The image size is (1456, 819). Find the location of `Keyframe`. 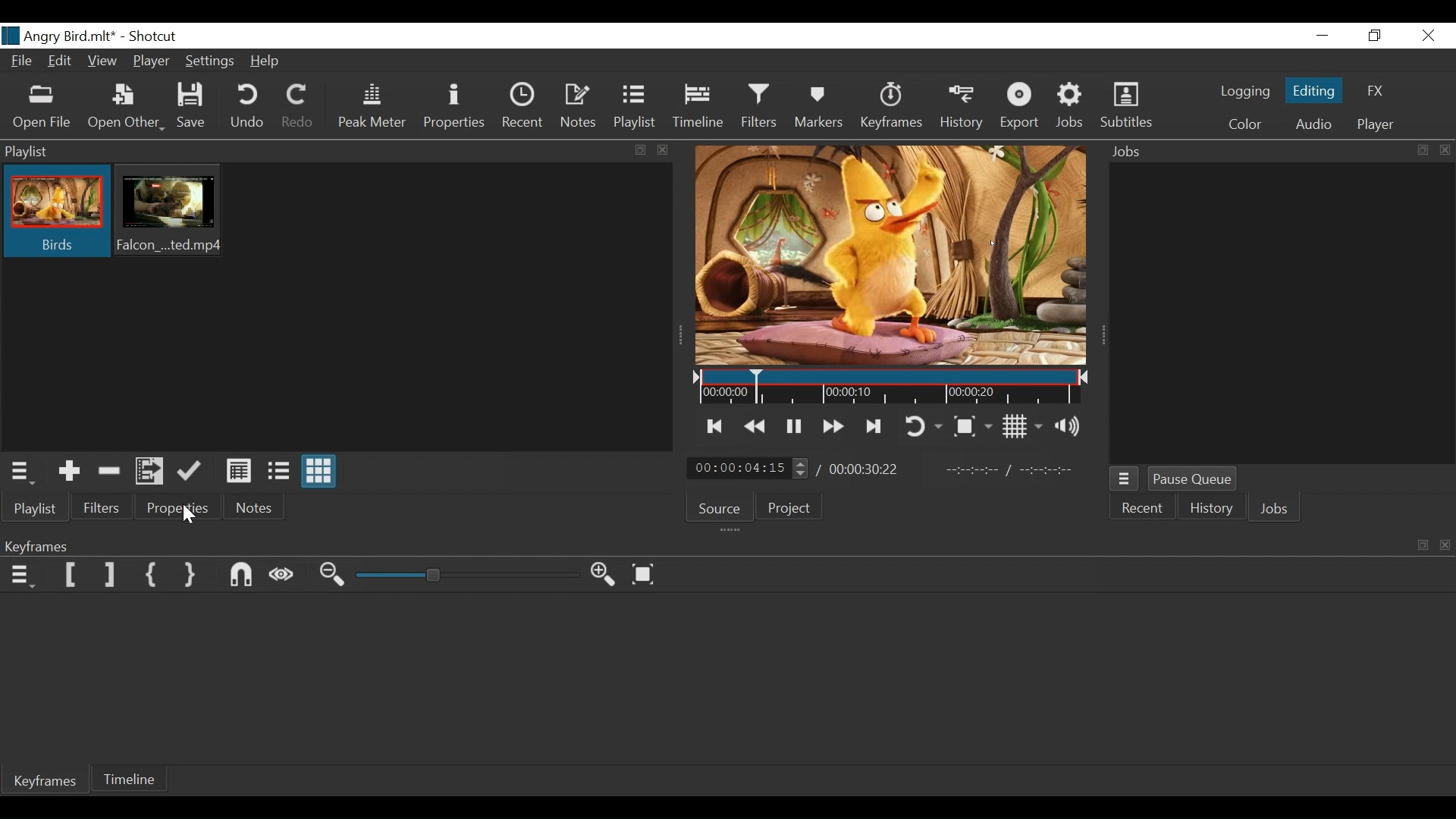

Keyframe is located at coordinates (49, 784).